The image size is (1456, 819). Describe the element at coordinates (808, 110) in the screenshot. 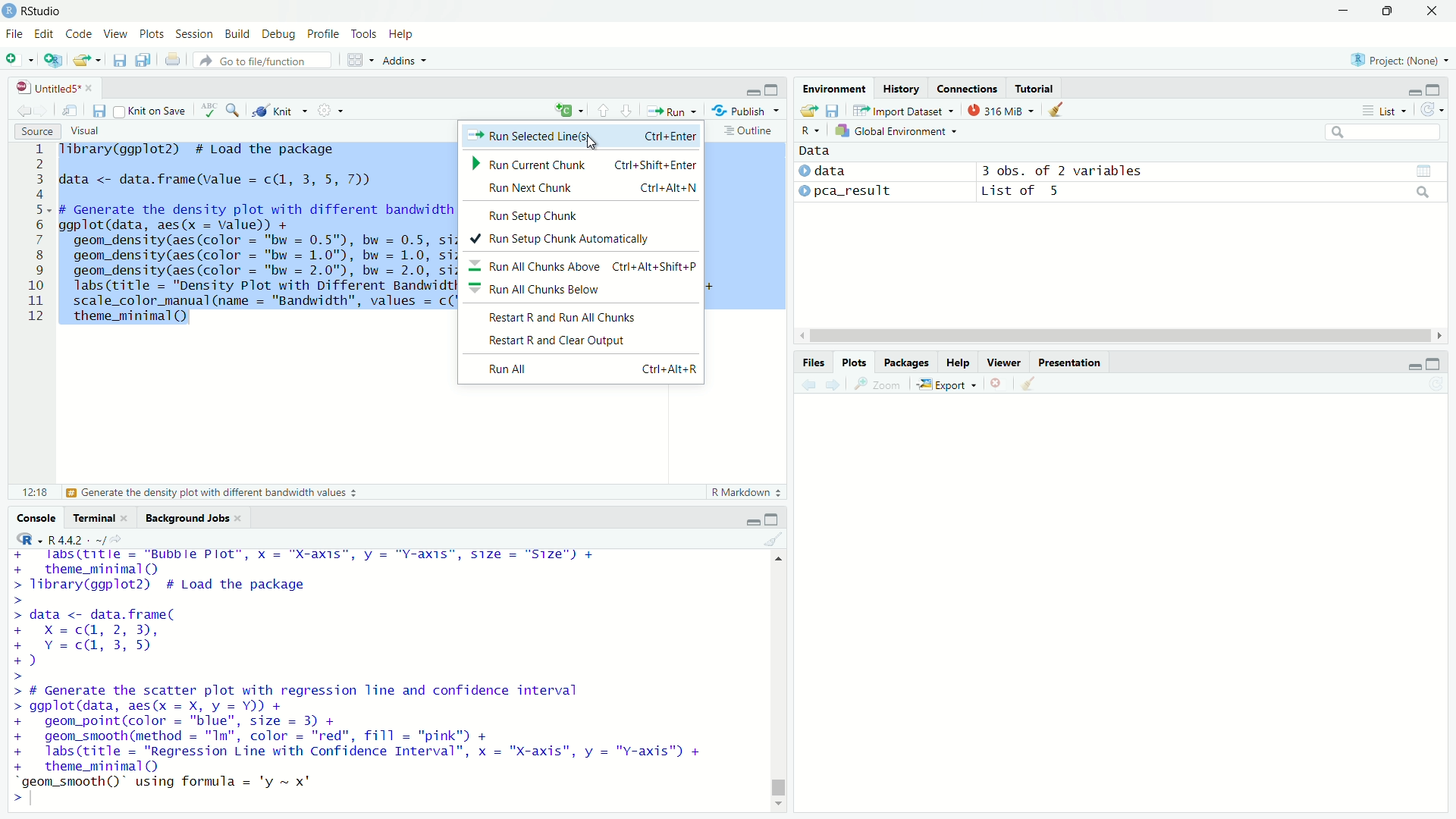

I see `Load workspace` at that location.